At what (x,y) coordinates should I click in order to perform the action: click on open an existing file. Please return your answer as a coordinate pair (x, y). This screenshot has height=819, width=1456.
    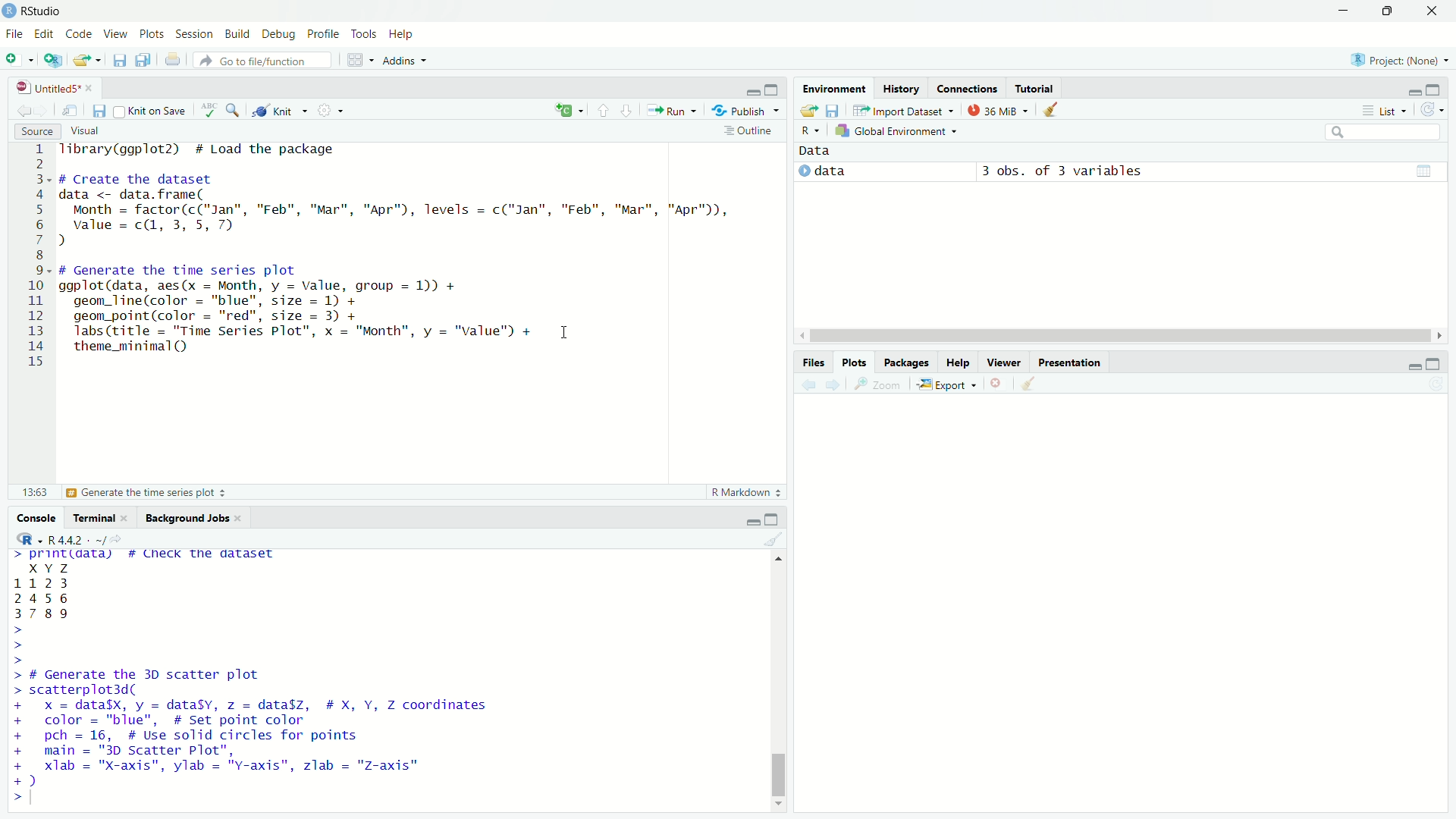
    Looking at the image, I should click on (87, 61).